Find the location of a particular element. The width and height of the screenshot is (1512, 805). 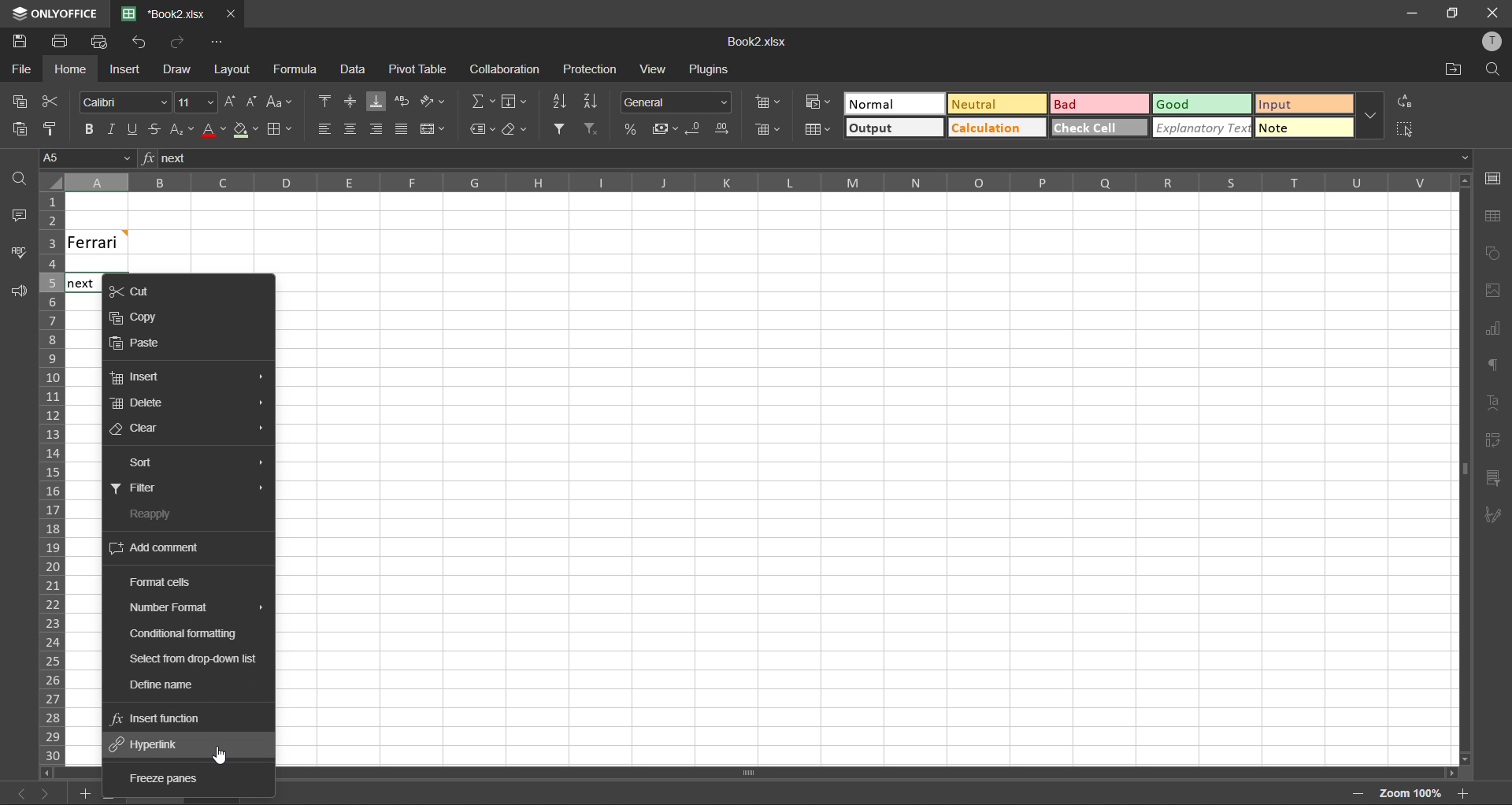

merge and center is located at coordinates (432, 129).